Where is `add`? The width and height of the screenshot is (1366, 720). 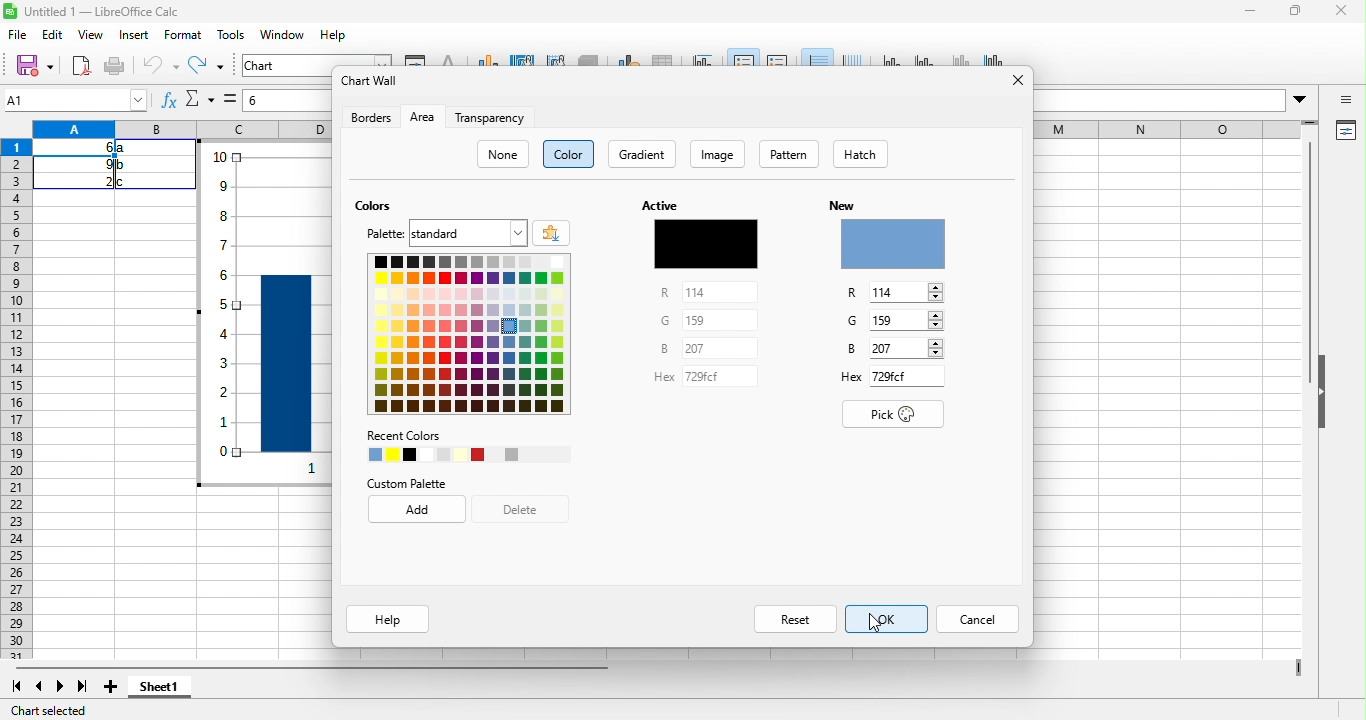
add is located at coordinates (414, 510).